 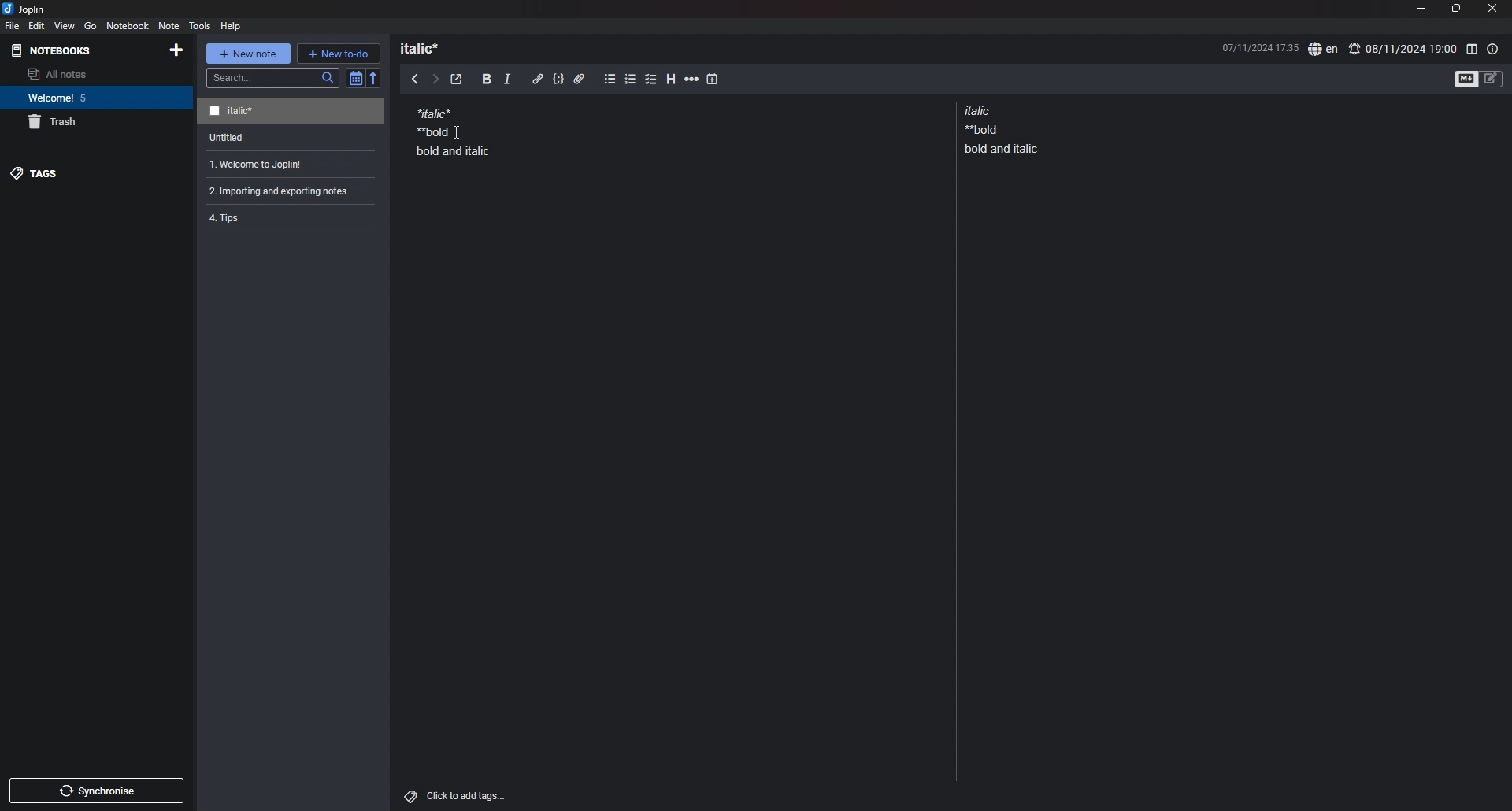 I want to click on help, so click(x=232, y=25).